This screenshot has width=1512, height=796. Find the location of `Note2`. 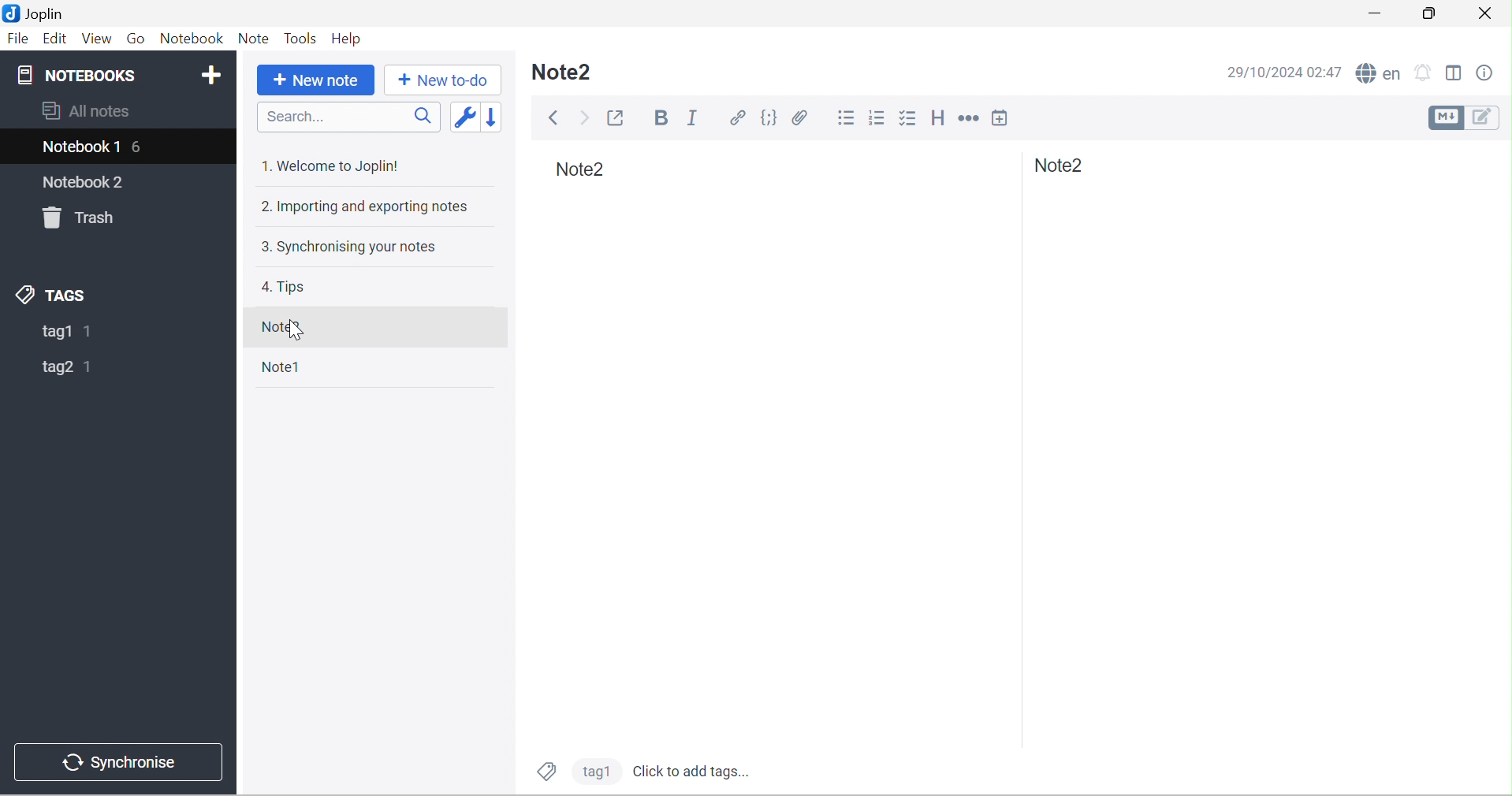

Note2 is located at coordinates (285, 329).